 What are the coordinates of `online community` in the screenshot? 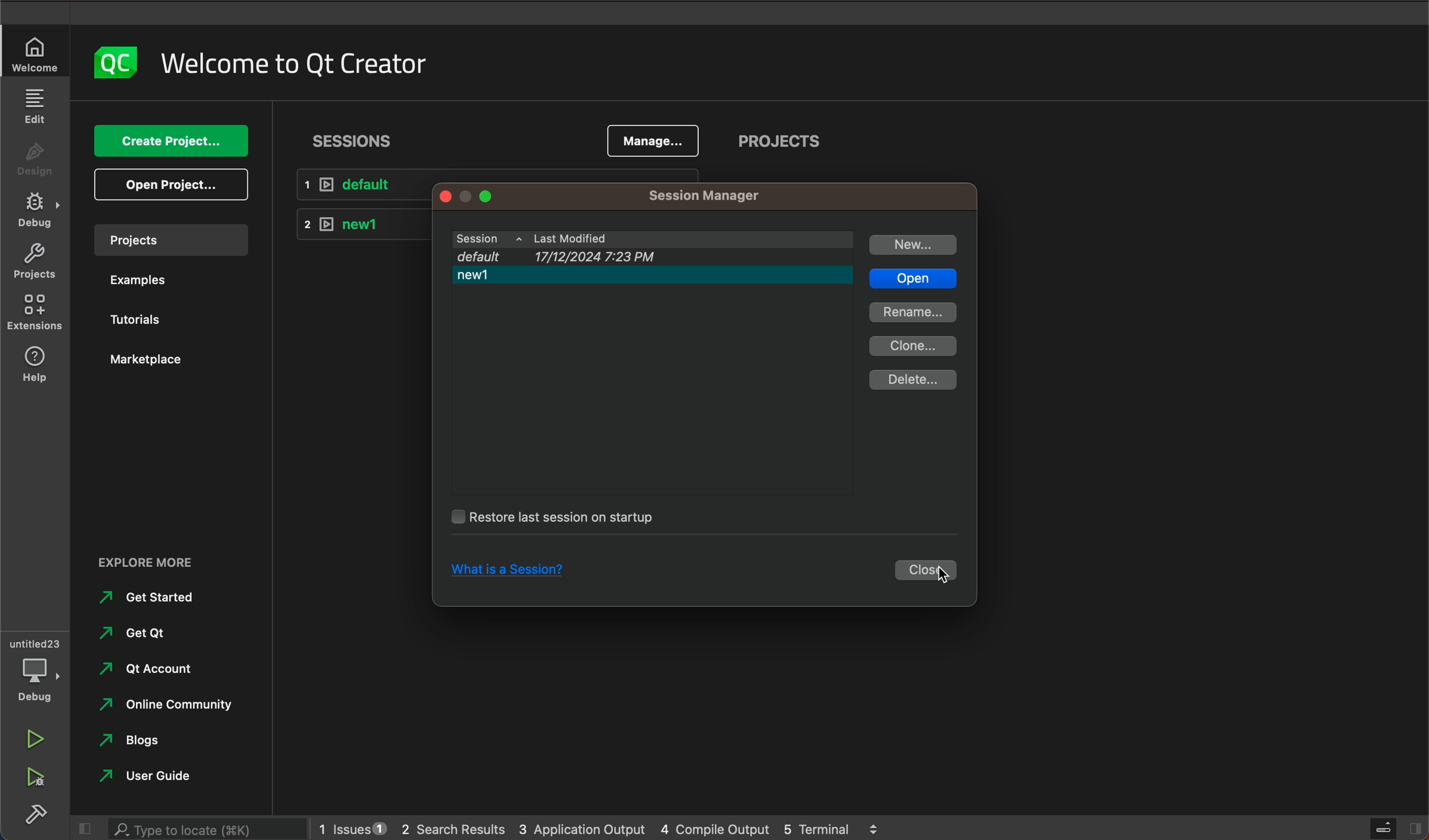 It's located at (160, 705).